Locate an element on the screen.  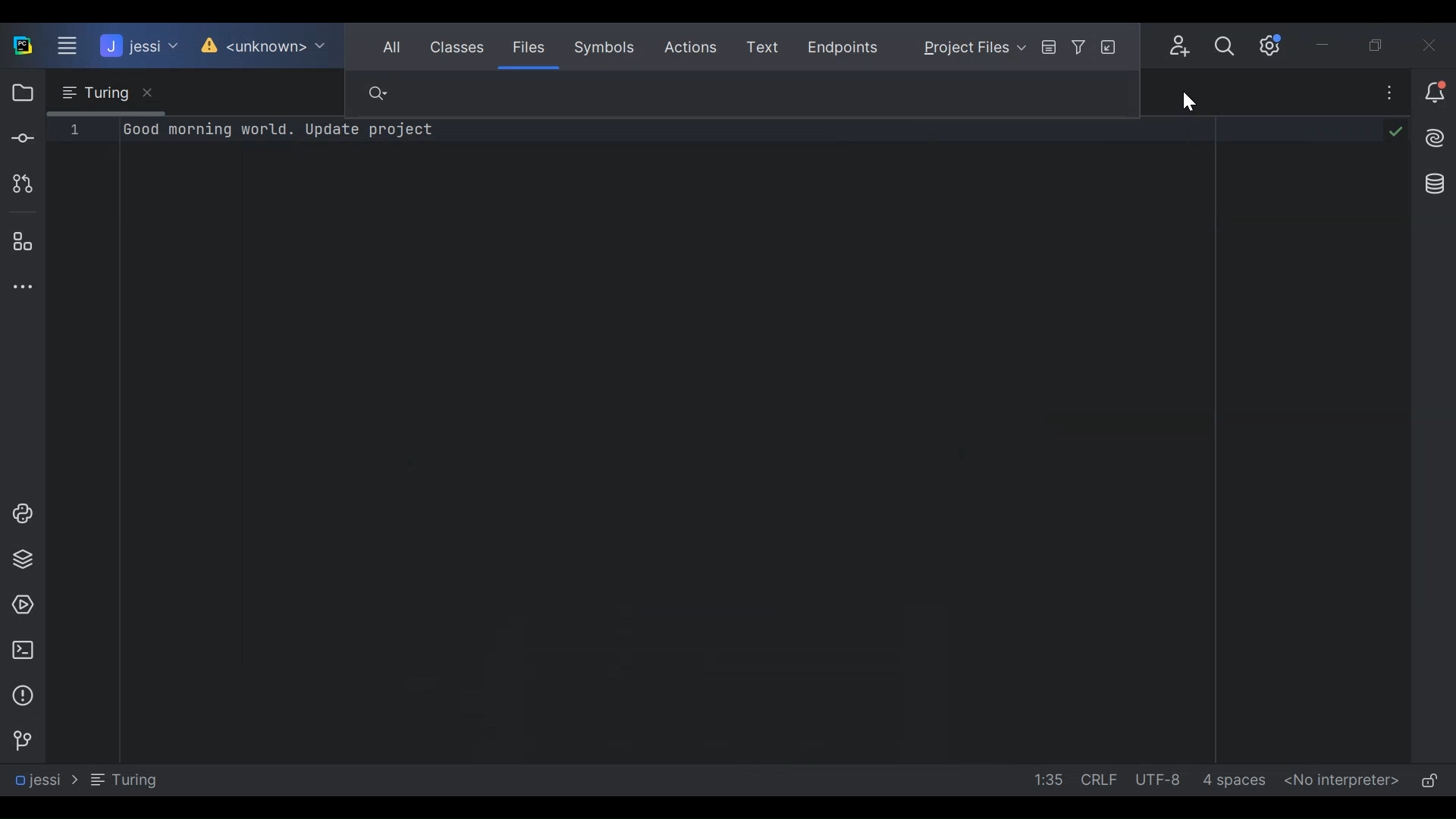
Python Console is located at coordinates (19, 513).